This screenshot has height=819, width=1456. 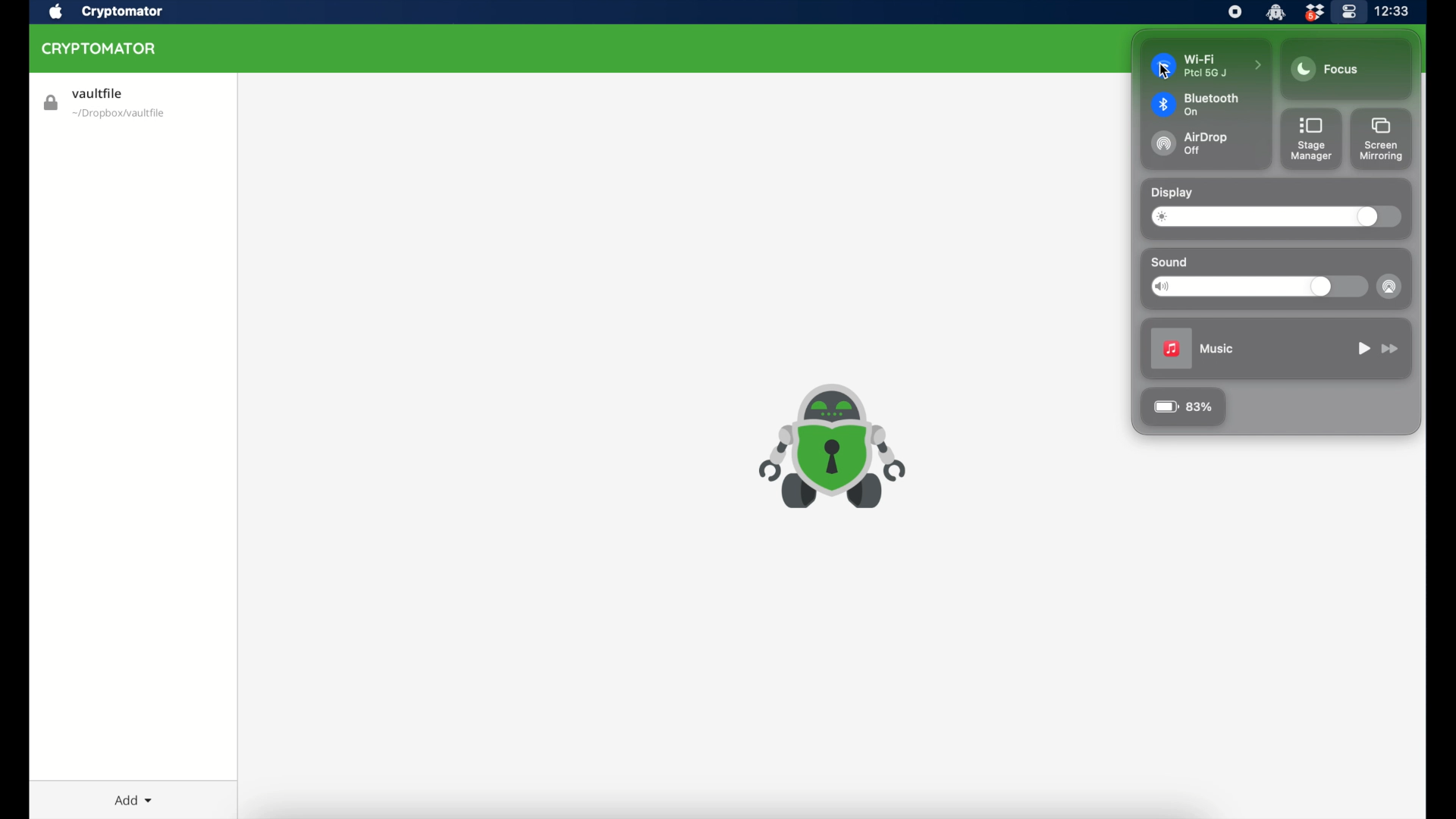 I want to click on focus, so click(x=1327, y=70).